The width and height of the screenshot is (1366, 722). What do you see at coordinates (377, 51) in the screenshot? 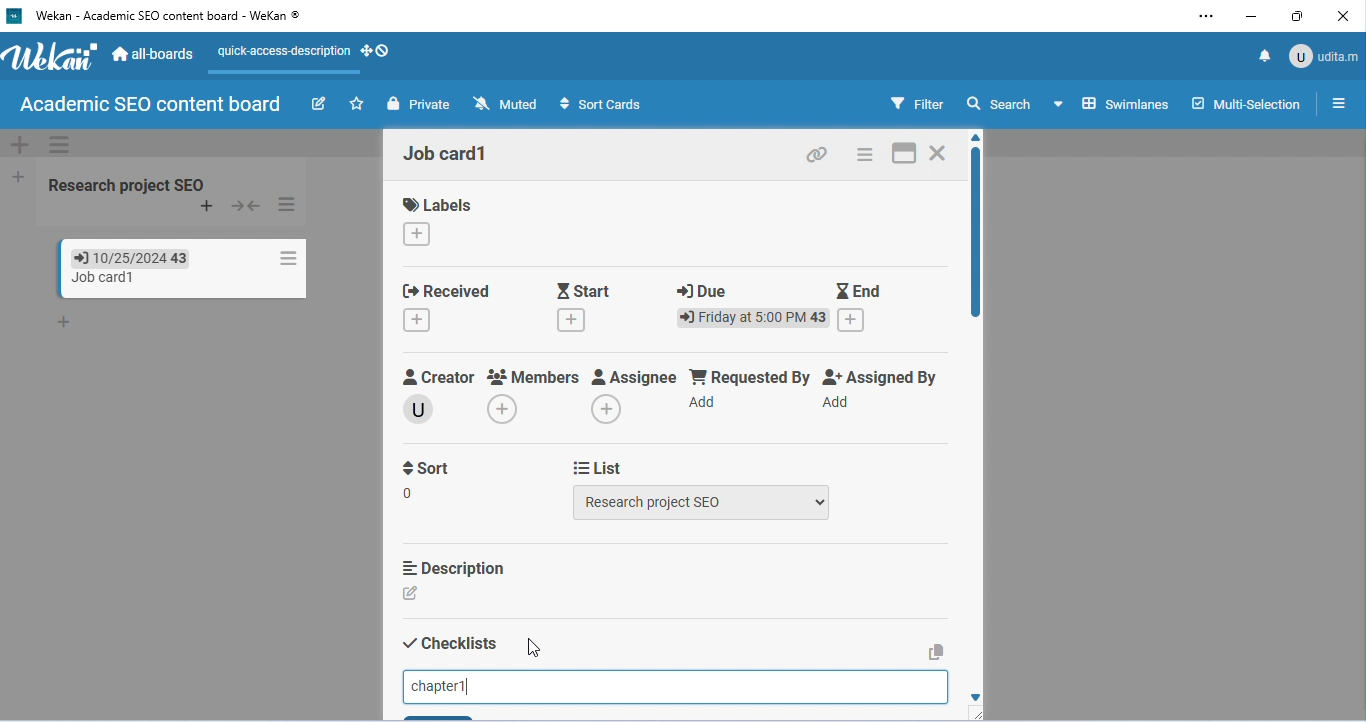
I see `how desktop drag handles` at bounding box center [377, 51].